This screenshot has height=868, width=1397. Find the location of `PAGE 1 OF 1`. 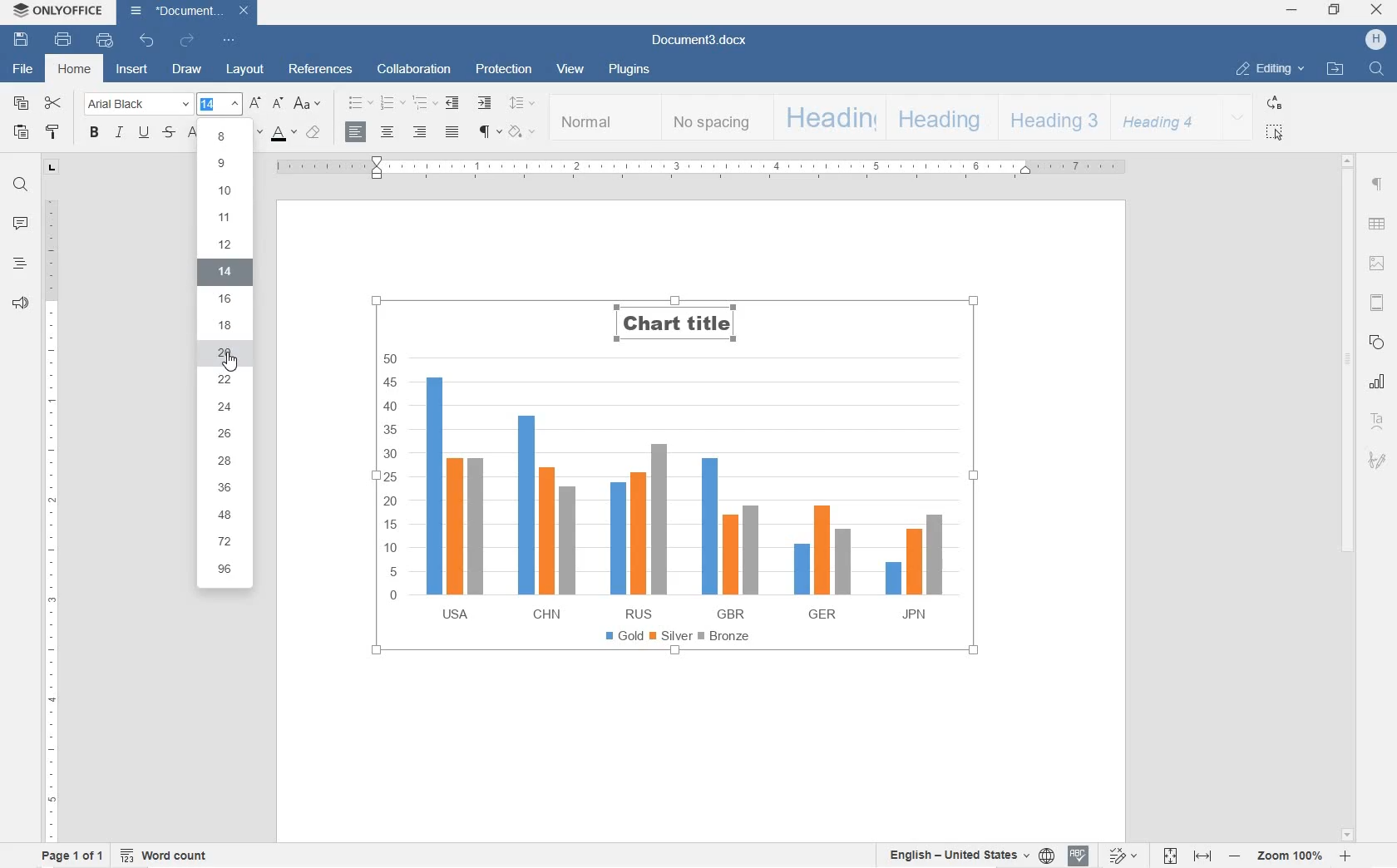

PAGE 1 OF 1 is located at coordinates (74, 856).